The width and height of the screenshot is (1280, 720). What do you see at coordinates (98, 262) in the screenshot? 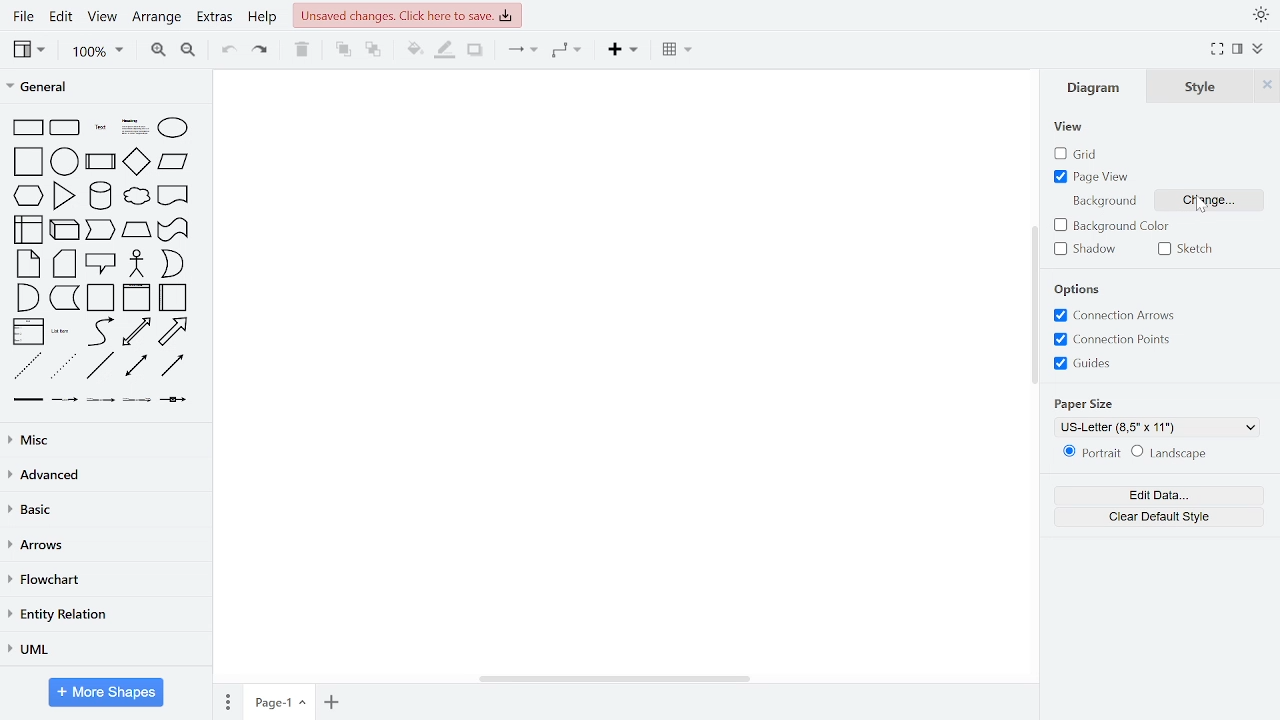
I see `general shapes` at bounding box center [98, 262].